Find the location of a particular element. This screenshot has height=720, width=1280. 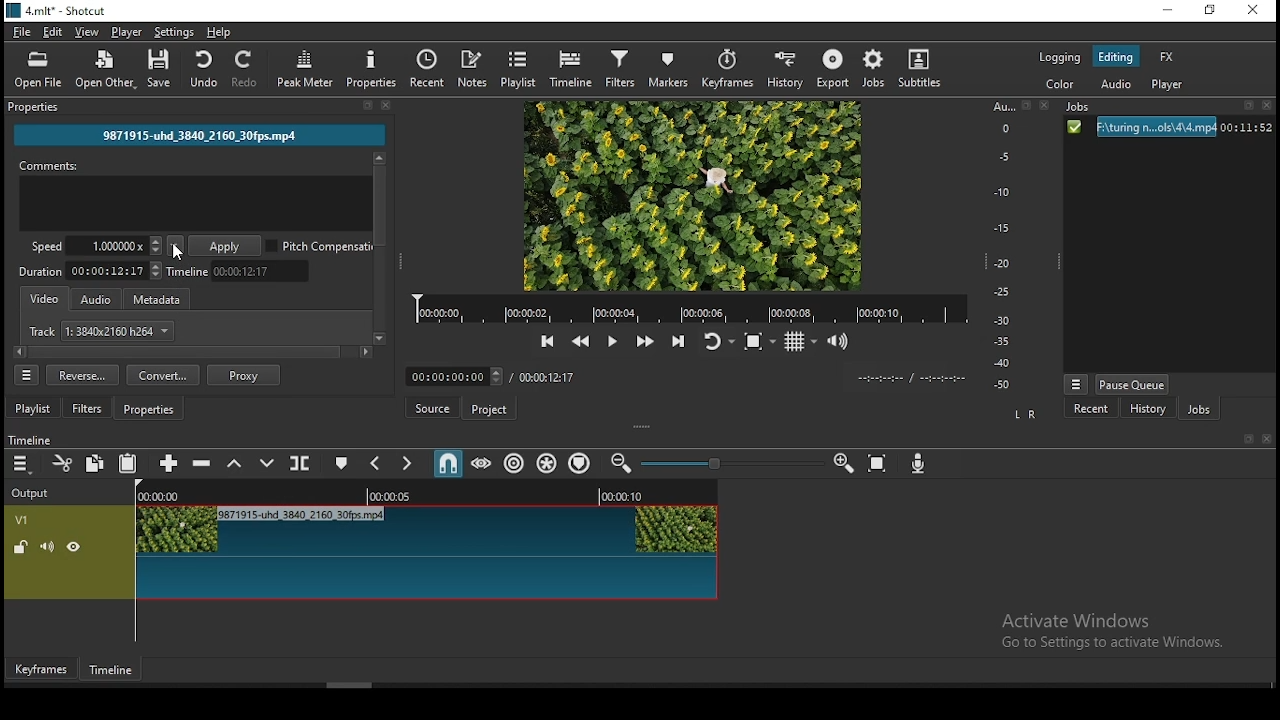

video track is located at coordinates (364, 552).